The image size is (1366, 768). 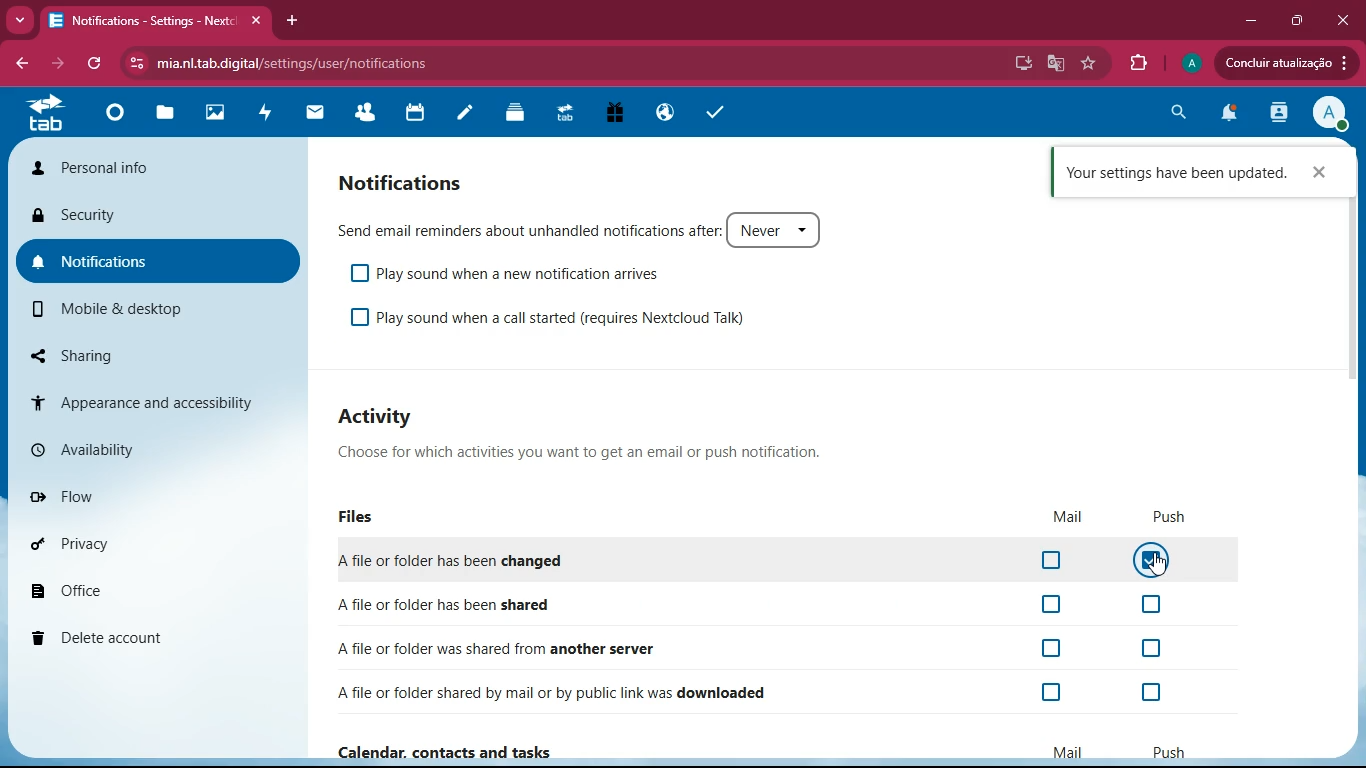 What do you see at coordinates (1151, 648) in the screenshot?
I see `off` at bounding box center [1151, 648].